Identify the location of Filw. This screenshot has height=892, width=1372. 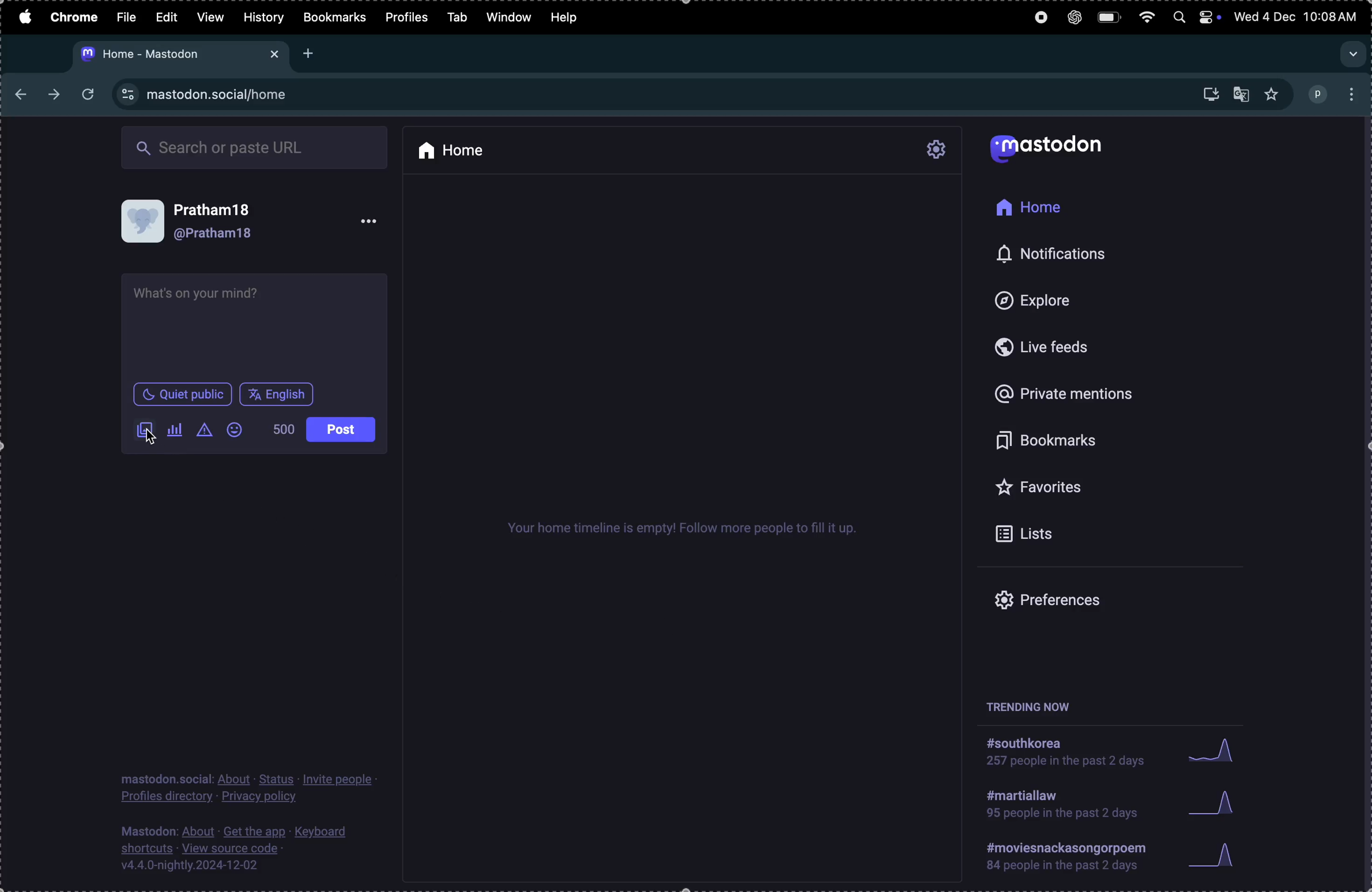
(126, 16).